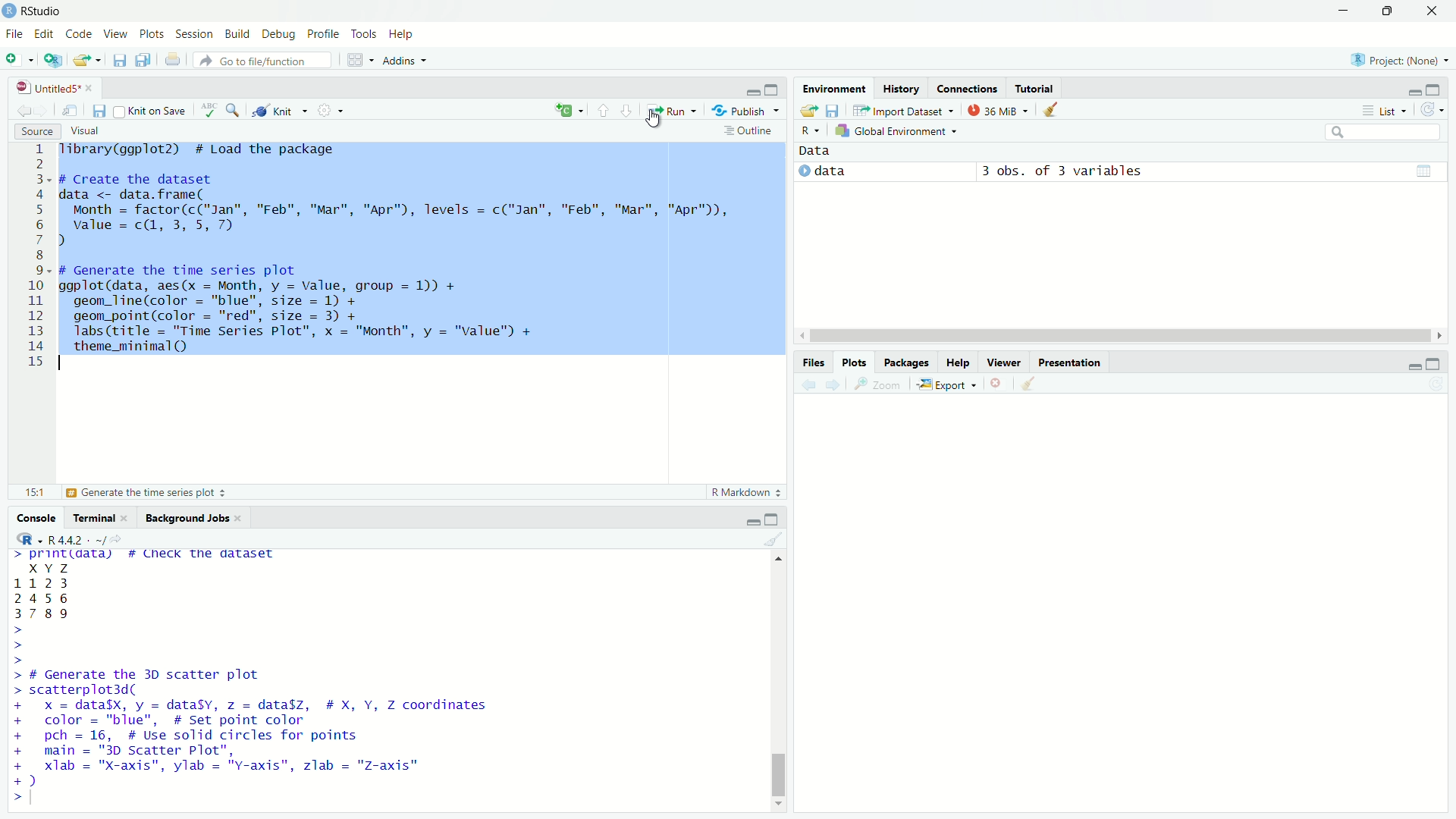 The width and height of the screenshot is (1456, 819). I want to click on empty plot area, so click(1128, 612).